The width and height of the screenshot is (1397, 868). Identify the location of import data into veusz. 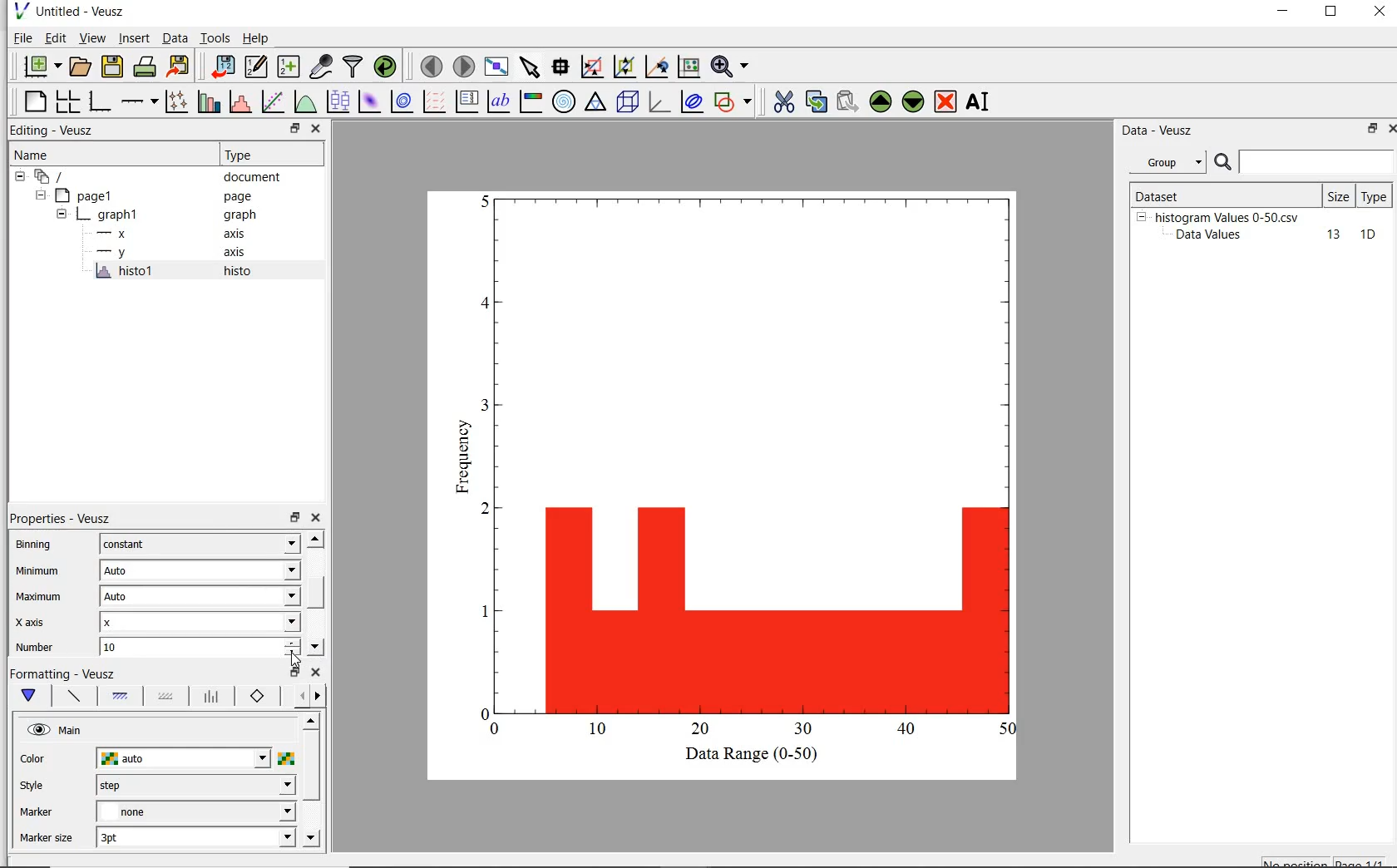
(225, 67).